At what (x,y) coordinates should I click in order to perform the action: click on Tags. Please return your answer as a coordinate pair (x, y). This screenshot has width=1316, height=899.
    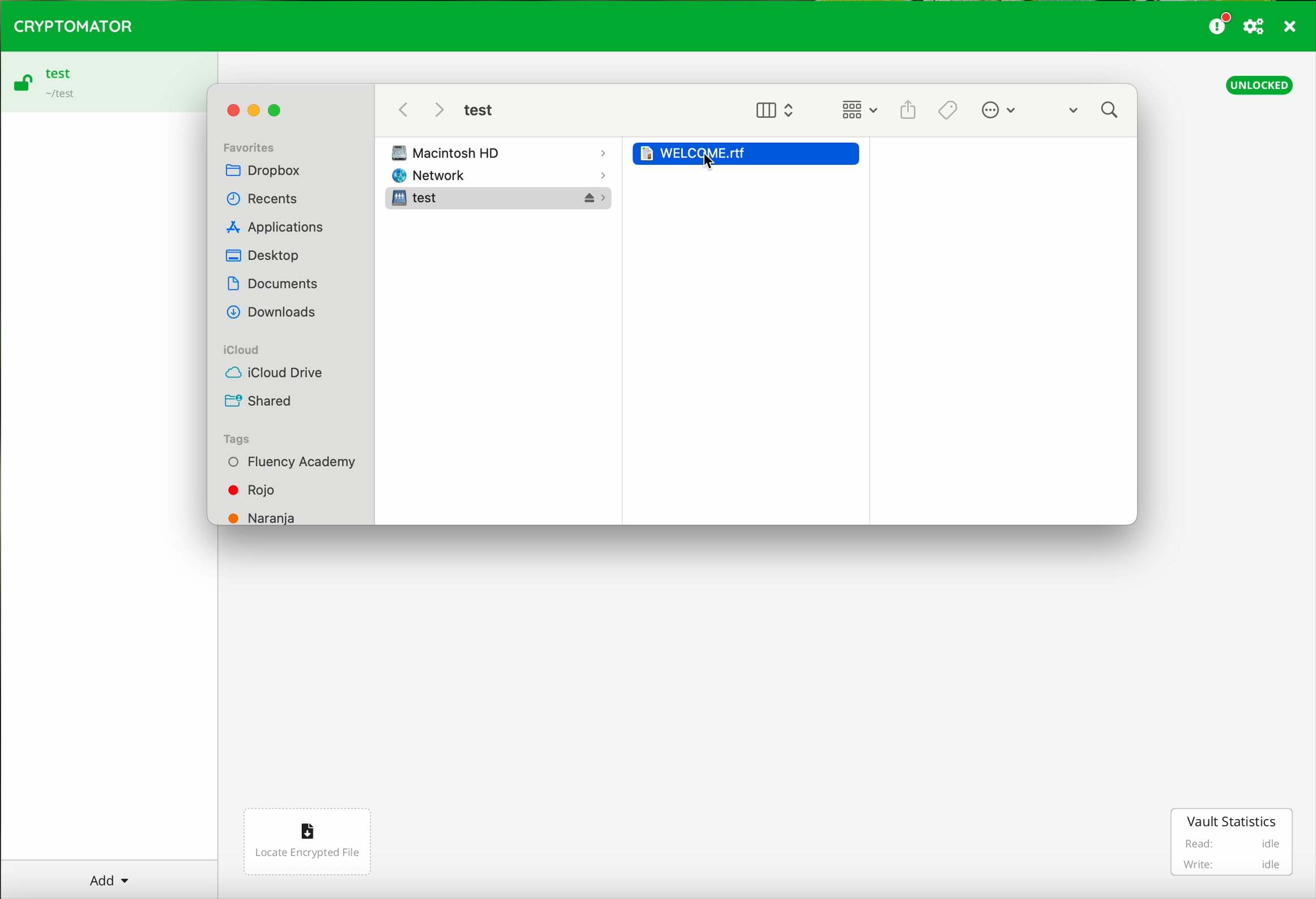
    Looking at the image, I should click on (948, 109).